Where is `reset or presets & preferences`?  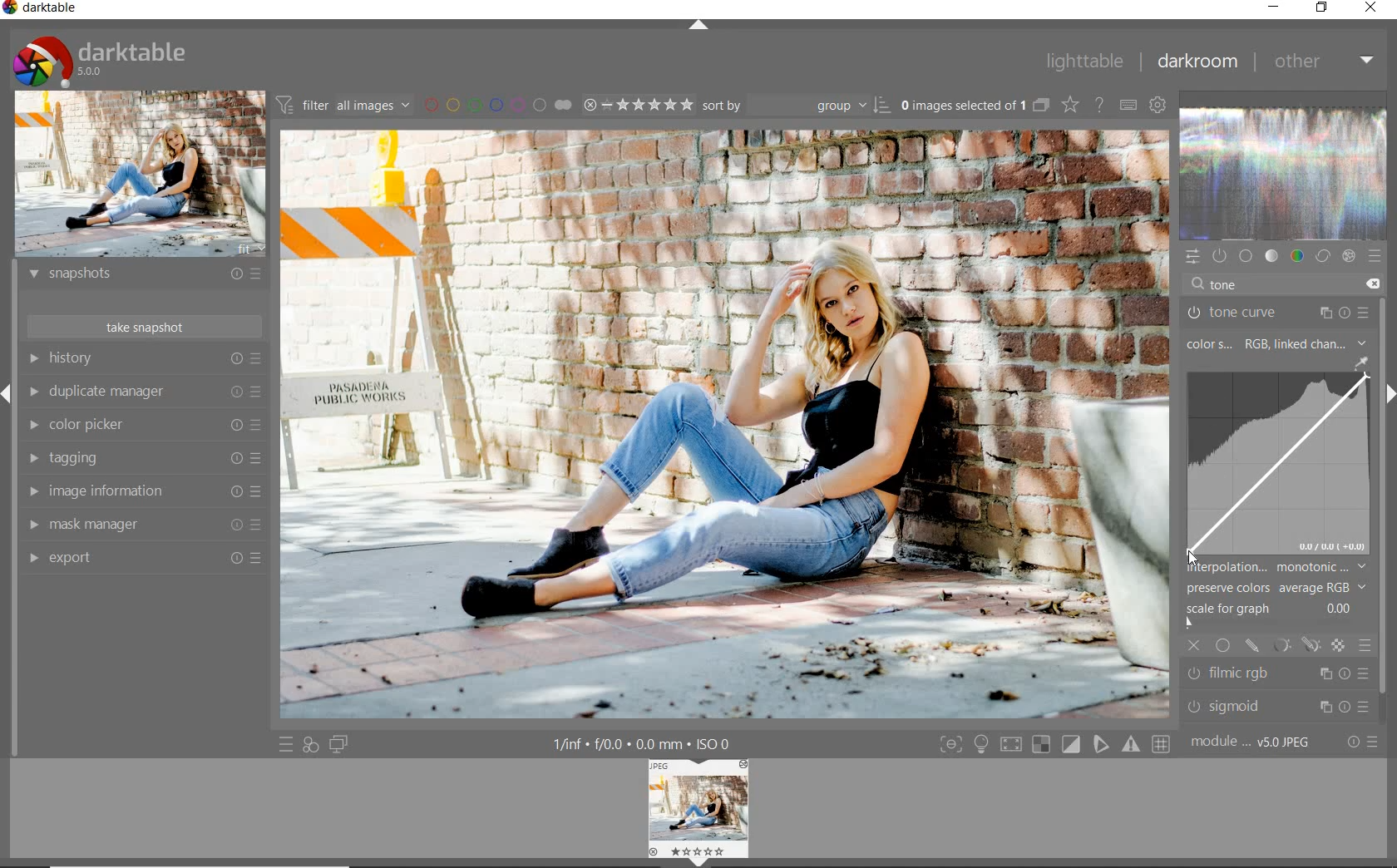
reset or presets & preferences is located at coordinates (1360, 742).